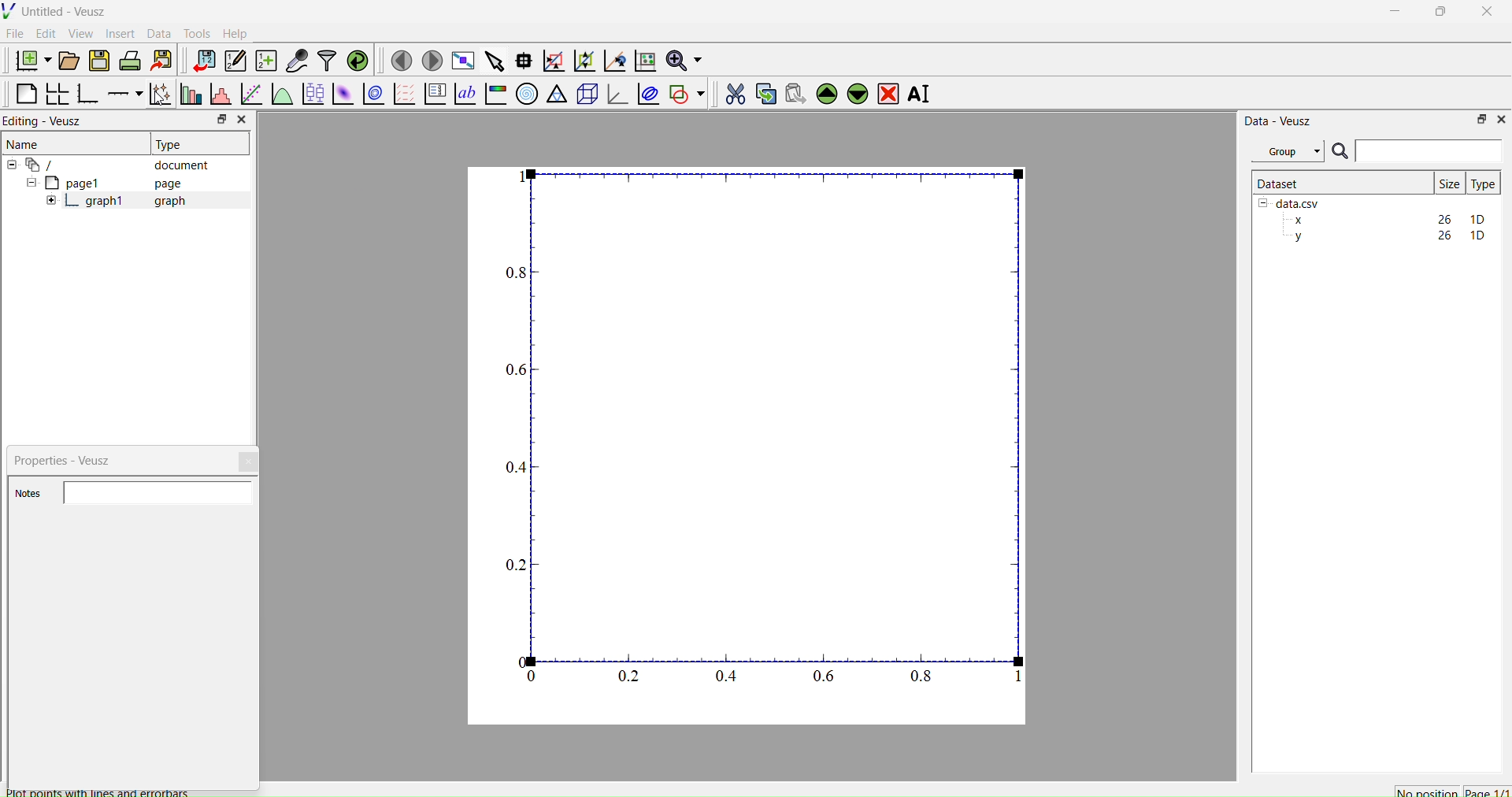 The height and width of the screenshot is (797, 1512). Describe the element at coordinates (585, 91) in the screenshot. I see `3d scene` at that location.